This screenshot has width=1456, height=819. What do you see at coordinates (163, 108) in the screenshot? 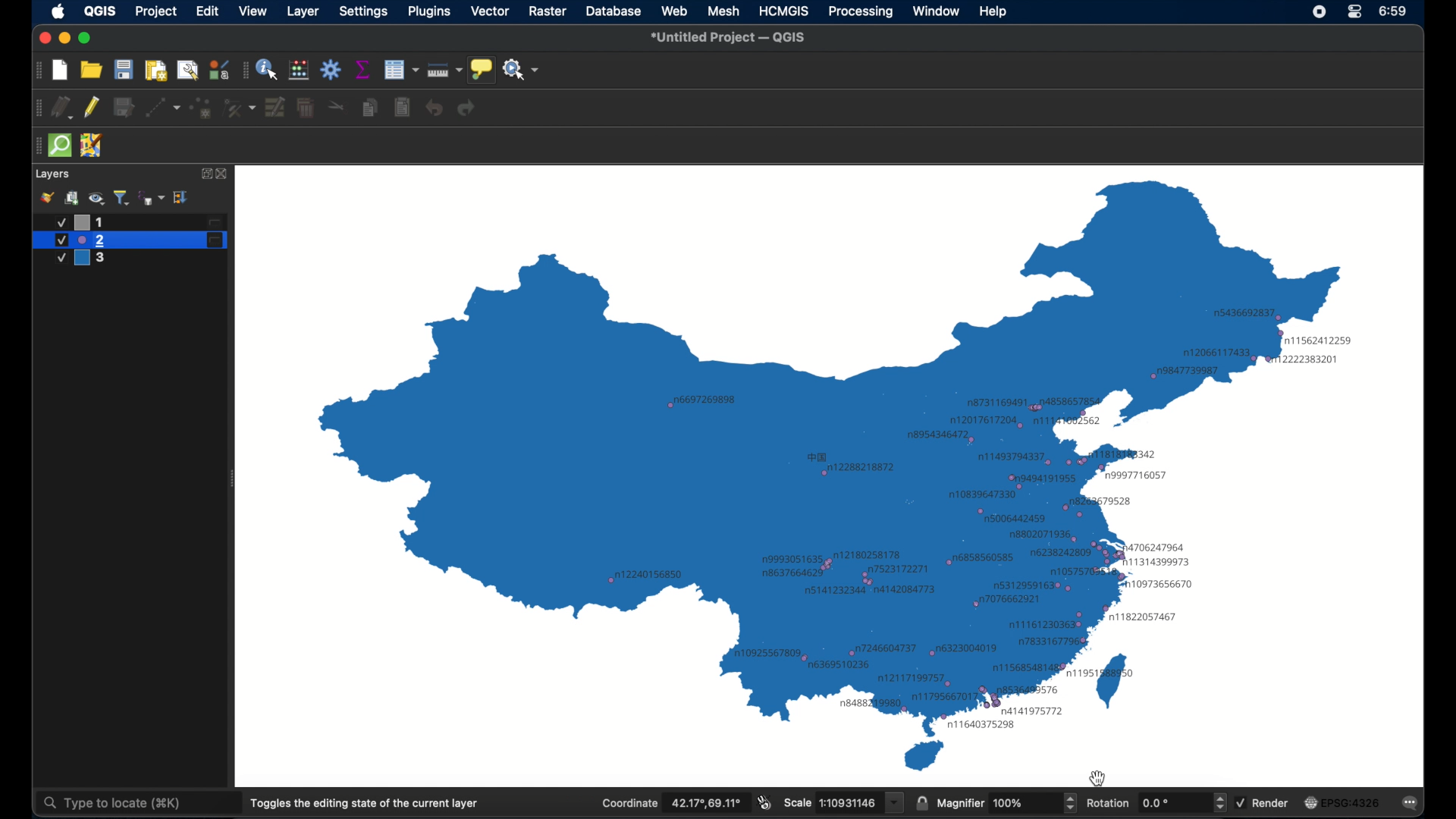
I see `digitize  with segment` at bounding box center [163, 108].